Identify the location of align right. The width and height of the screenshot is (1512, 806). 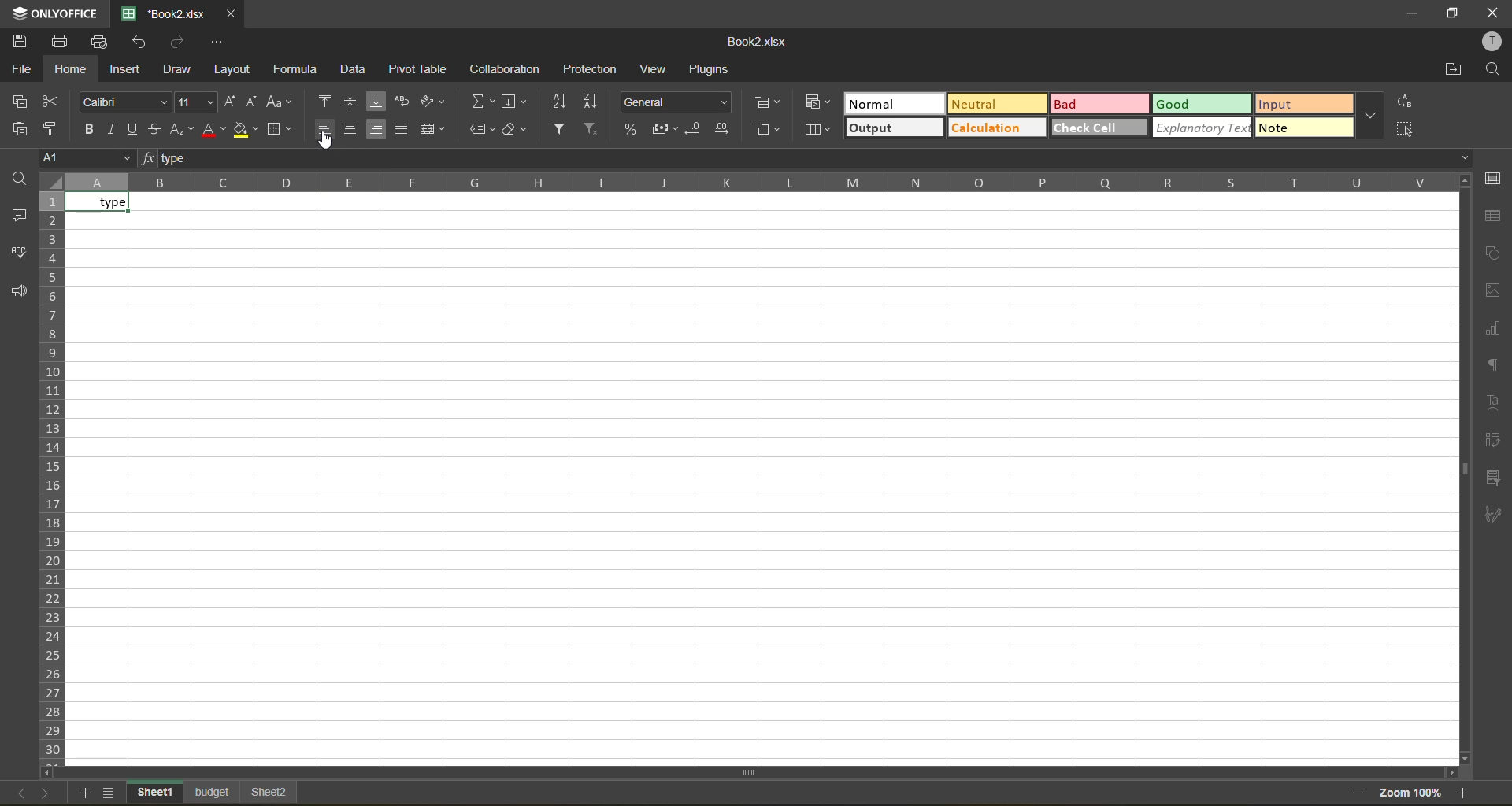
(376, 128).